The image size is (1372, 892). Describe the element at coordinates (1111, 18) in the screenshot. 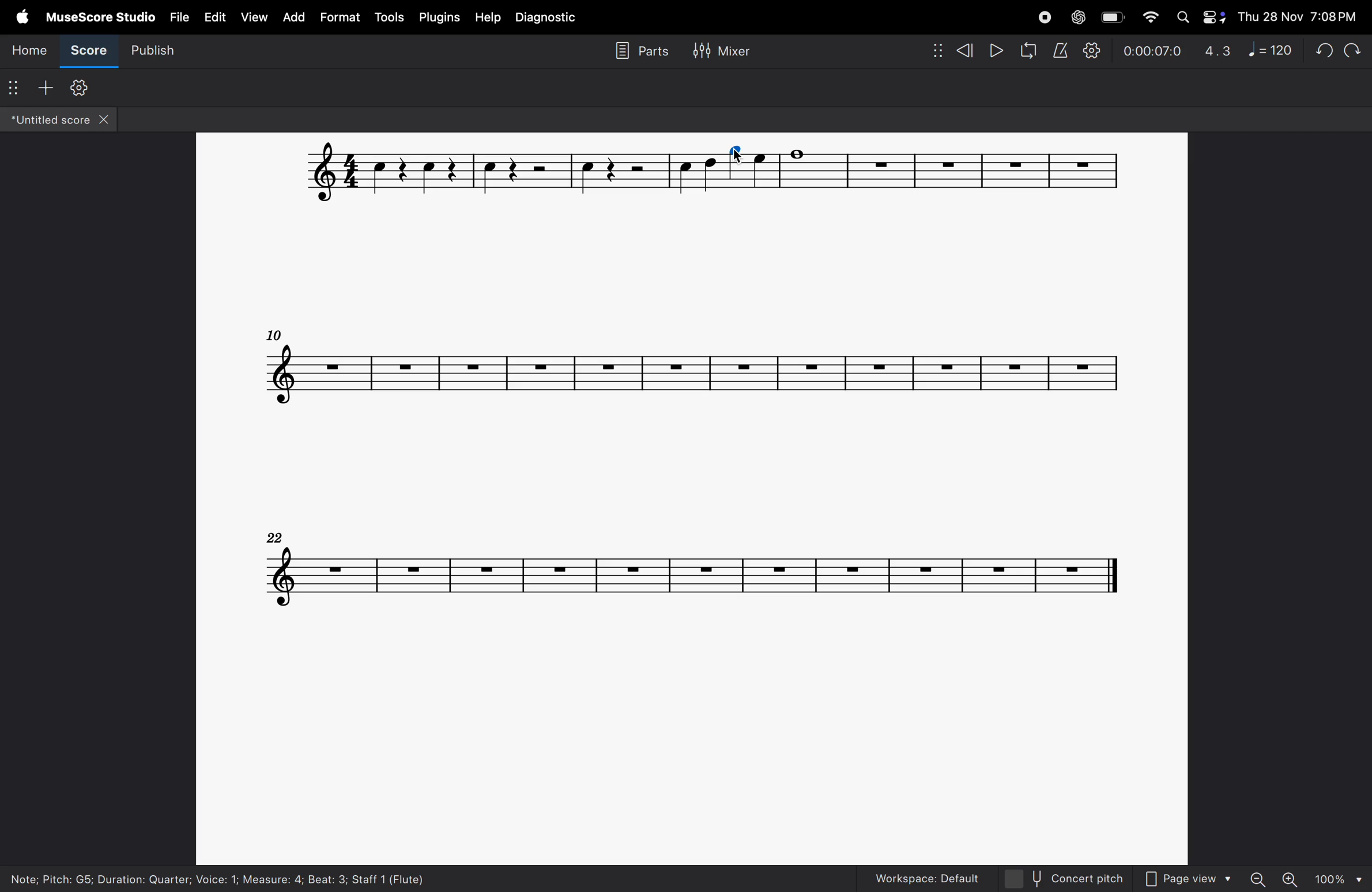

I see `battery` at that location.